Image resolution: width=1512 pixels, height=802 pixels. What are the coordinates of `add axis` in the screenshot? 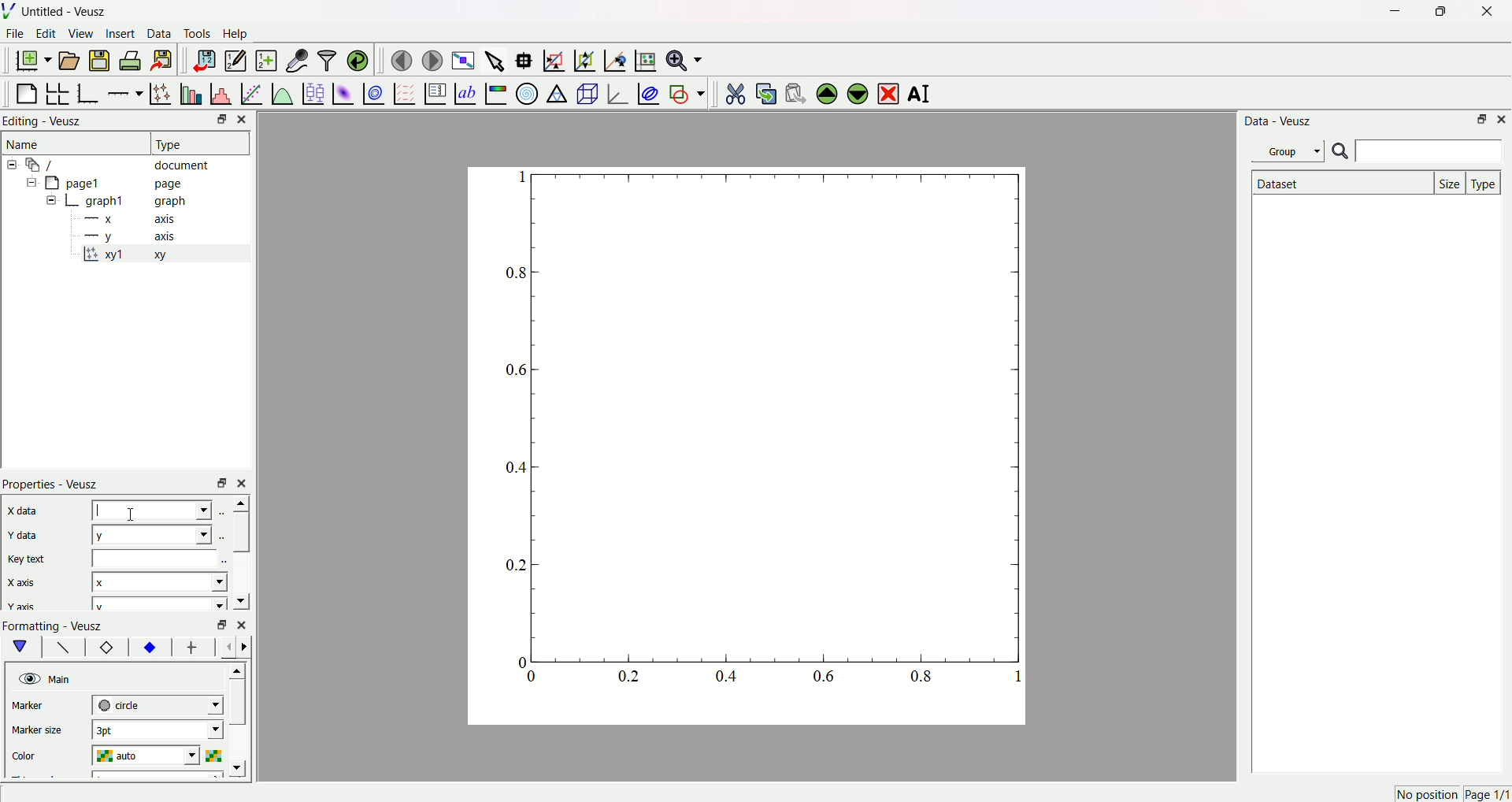 It's located at (125, 91).